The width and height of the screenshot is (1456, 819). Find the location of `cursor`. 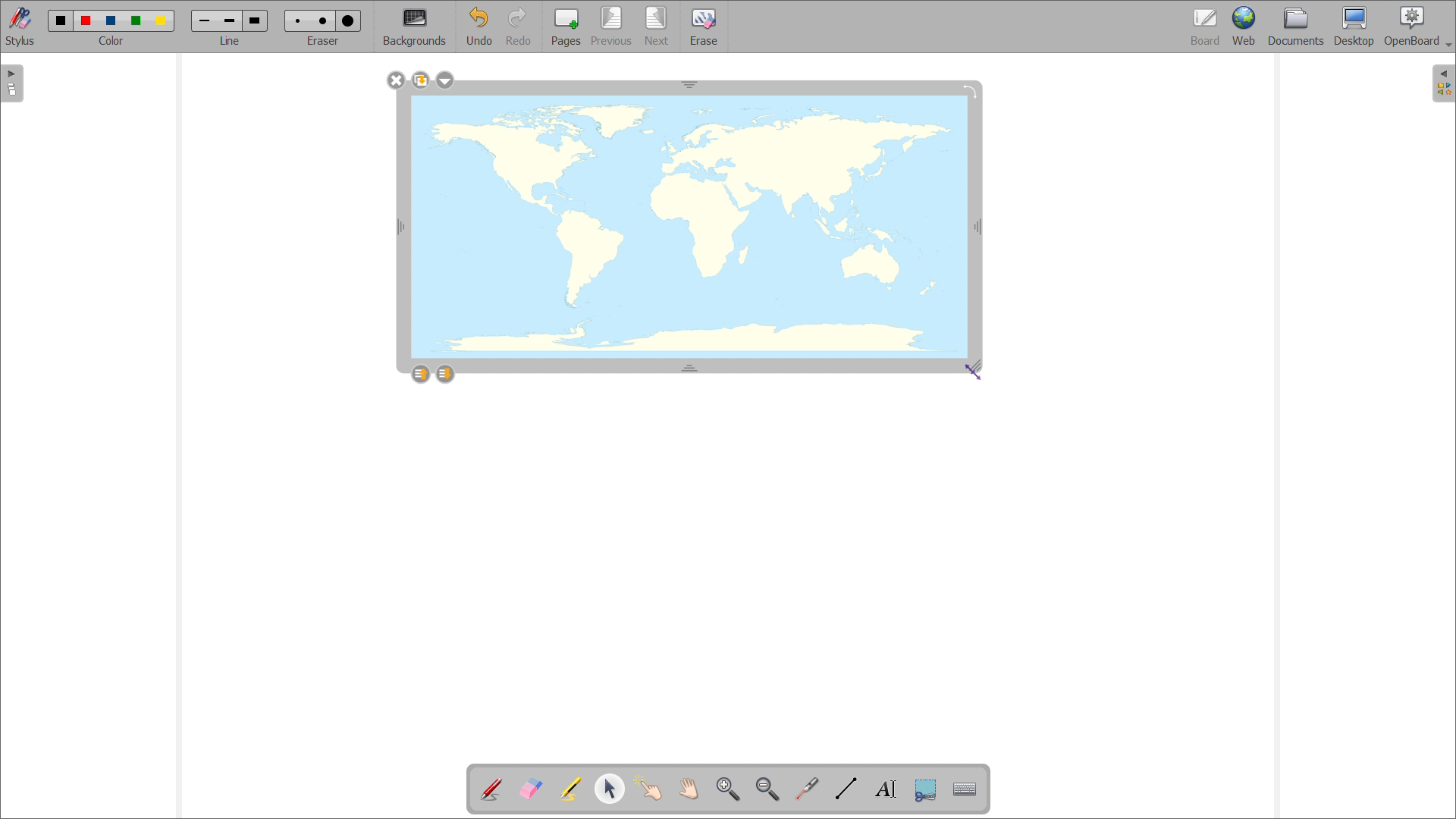

cursor is located at coordinates (974, 373).